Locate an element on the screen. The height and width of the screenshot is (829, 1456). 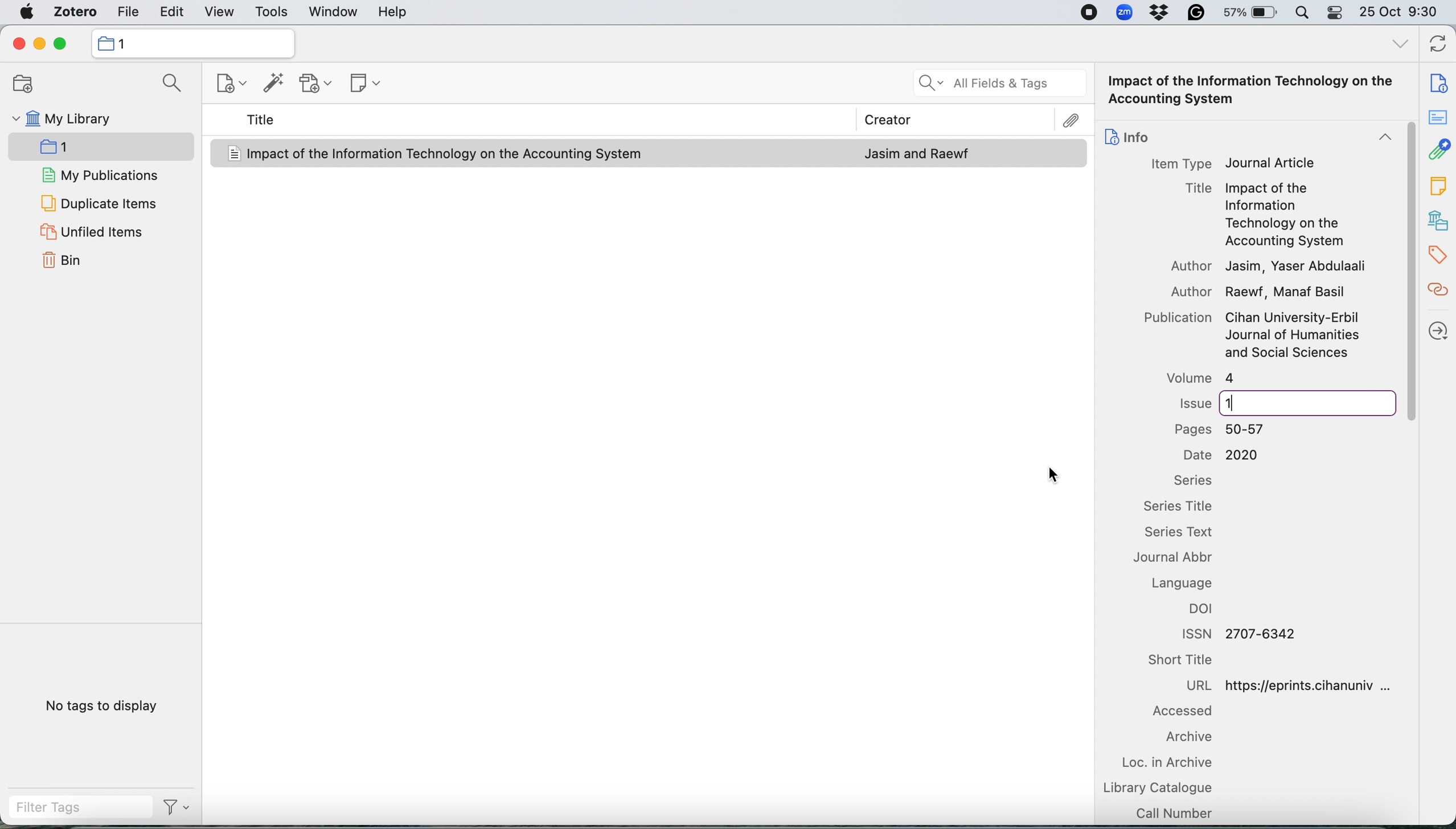
issue is located at coordinates (1221, 401).